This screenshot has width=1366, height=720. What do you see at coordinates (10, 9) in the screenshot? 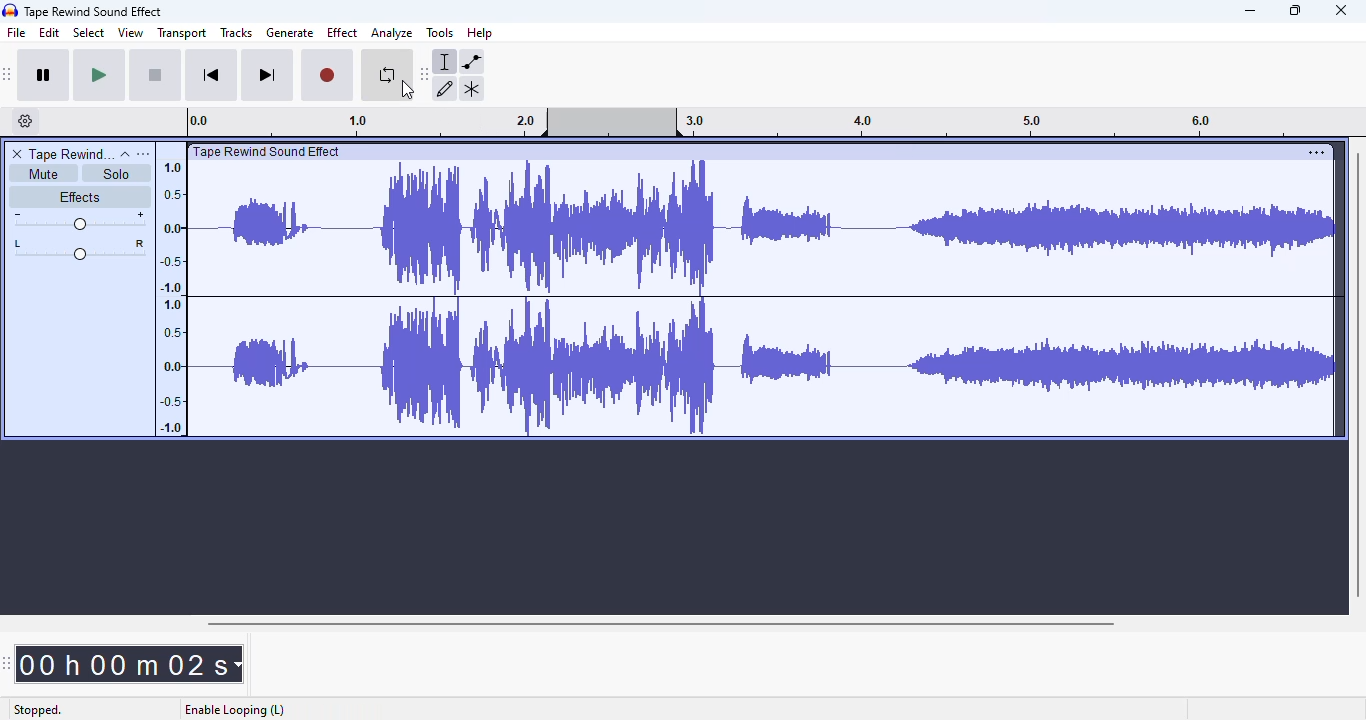
I see `logo` at bounding box center [10, 9].